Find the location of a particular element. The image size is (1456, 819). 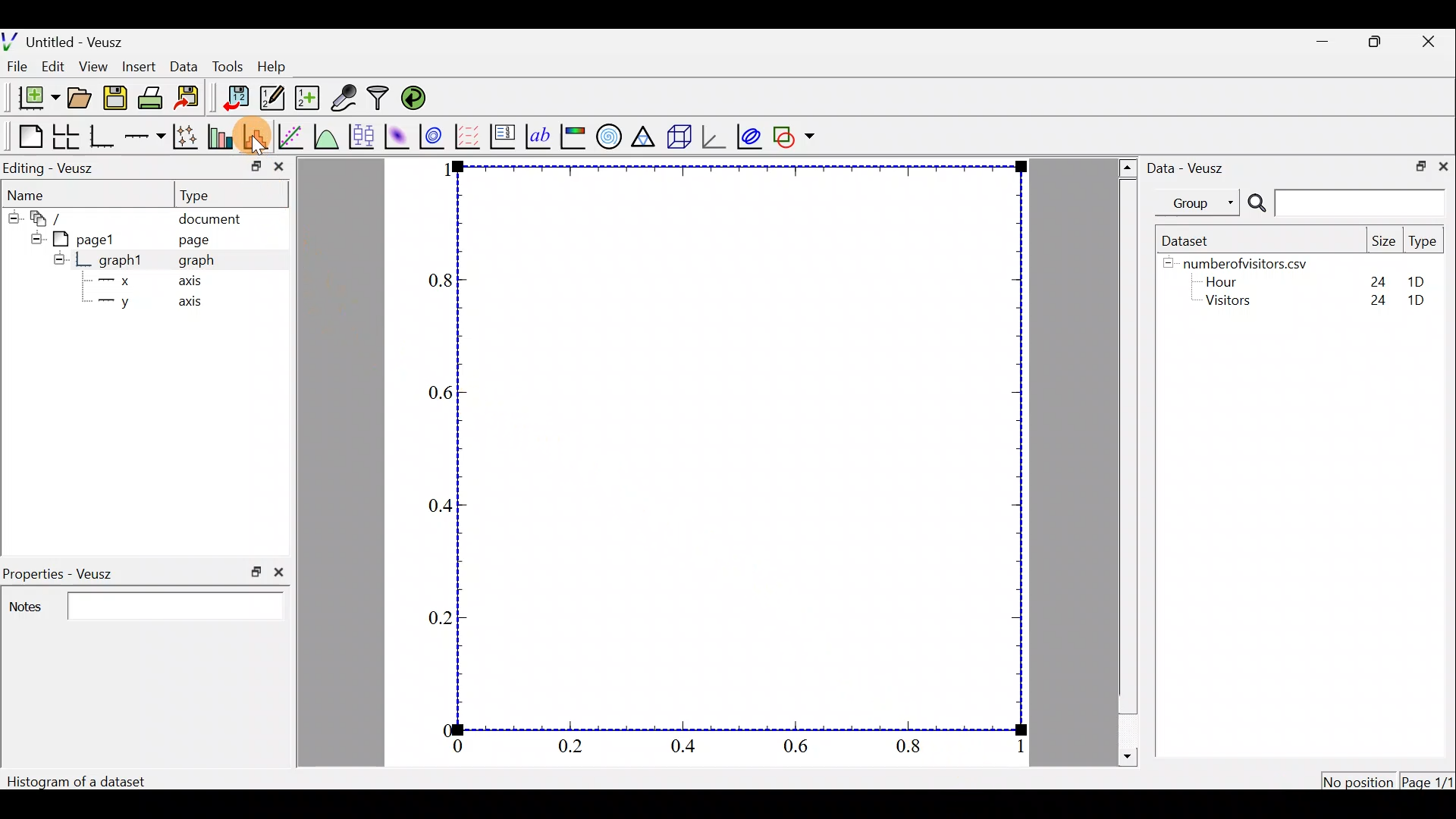

0.6 is located at coordinates (798, 748).